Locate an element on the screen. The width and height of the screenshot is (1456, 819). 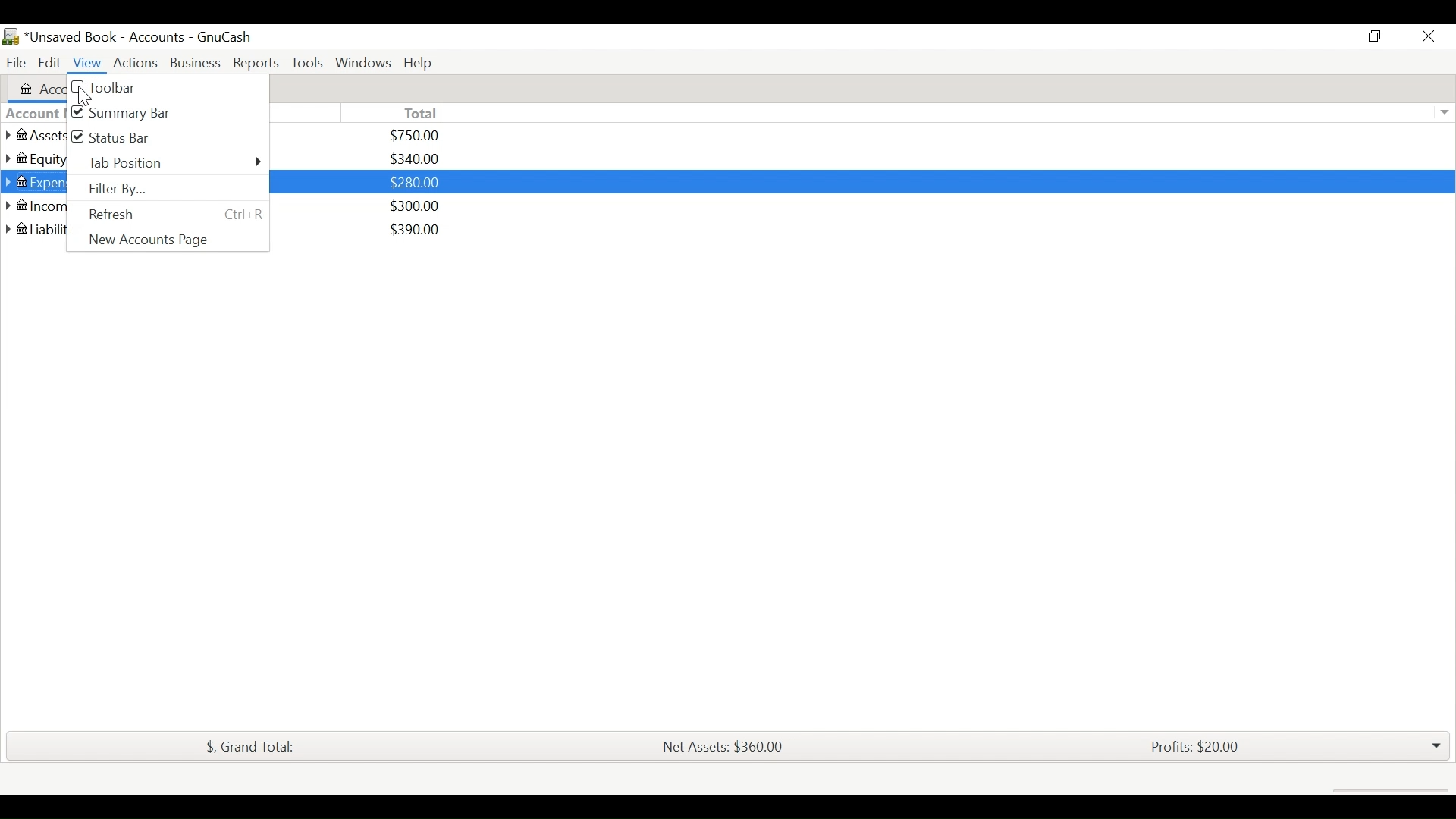
Tab Position is located at coordinates (166, 161).